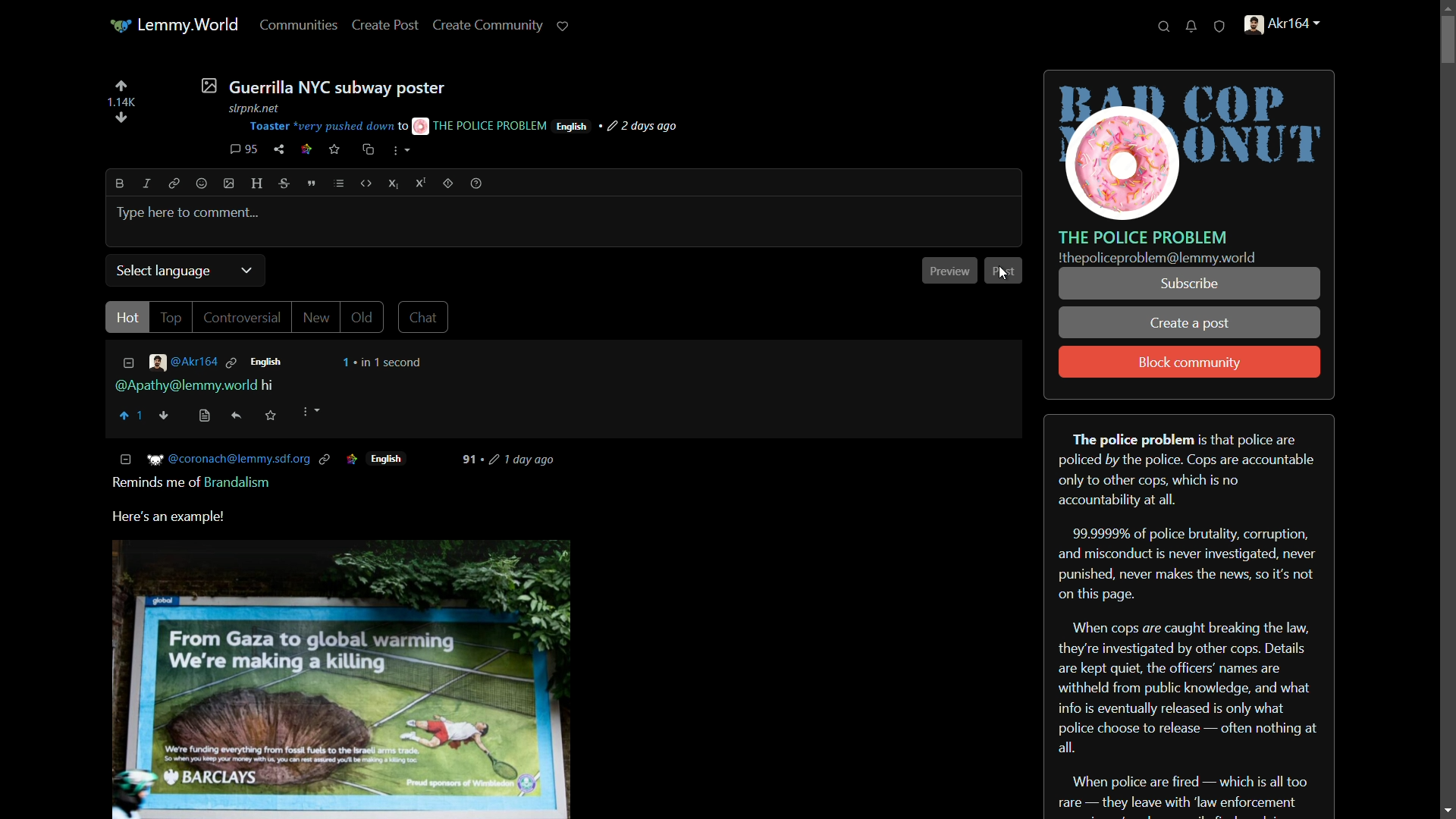 This screenshot has width=1456, height=819. I want to click on language, so click(572, 127).